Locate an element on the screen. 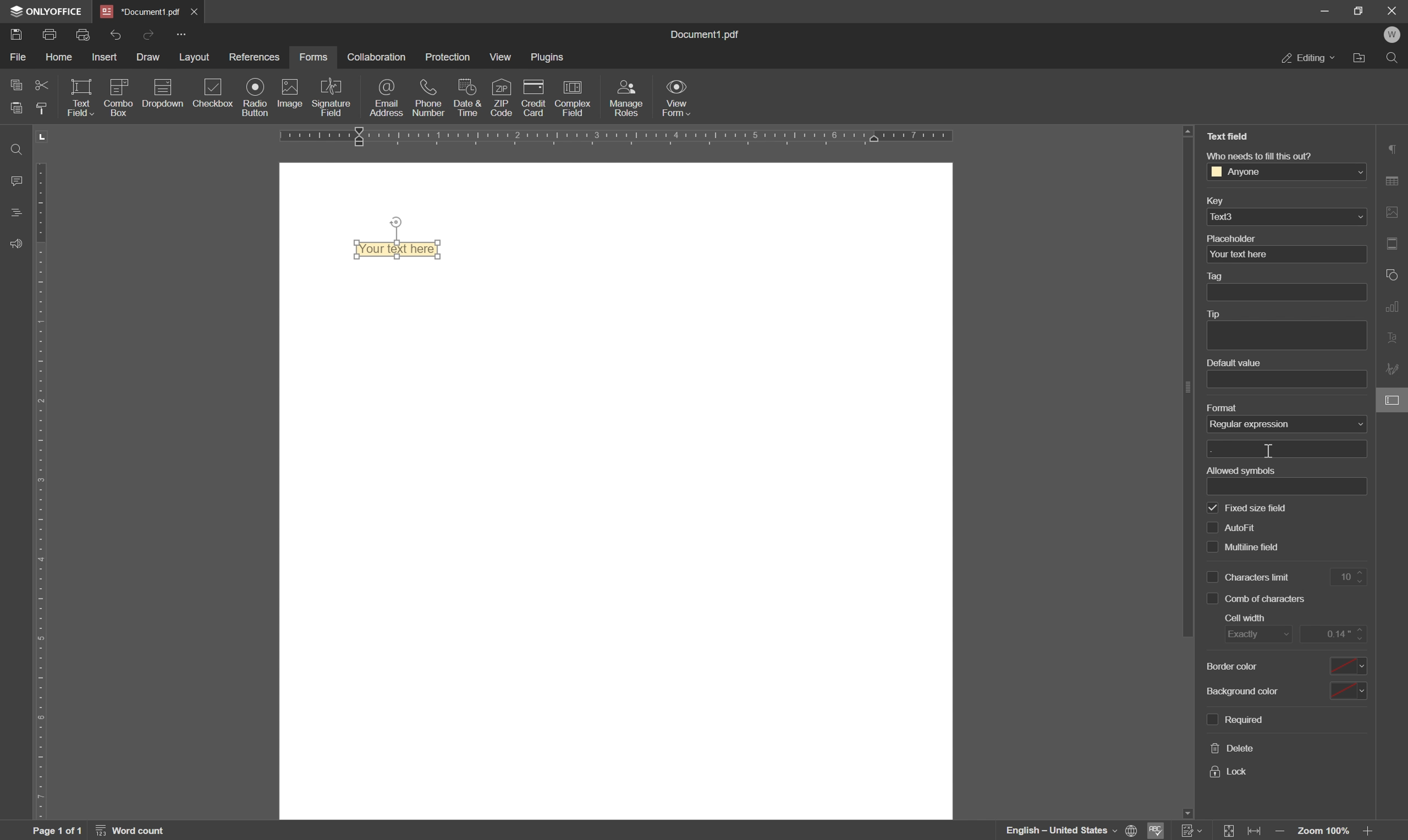  delete is located at coordinates (1233, 749).